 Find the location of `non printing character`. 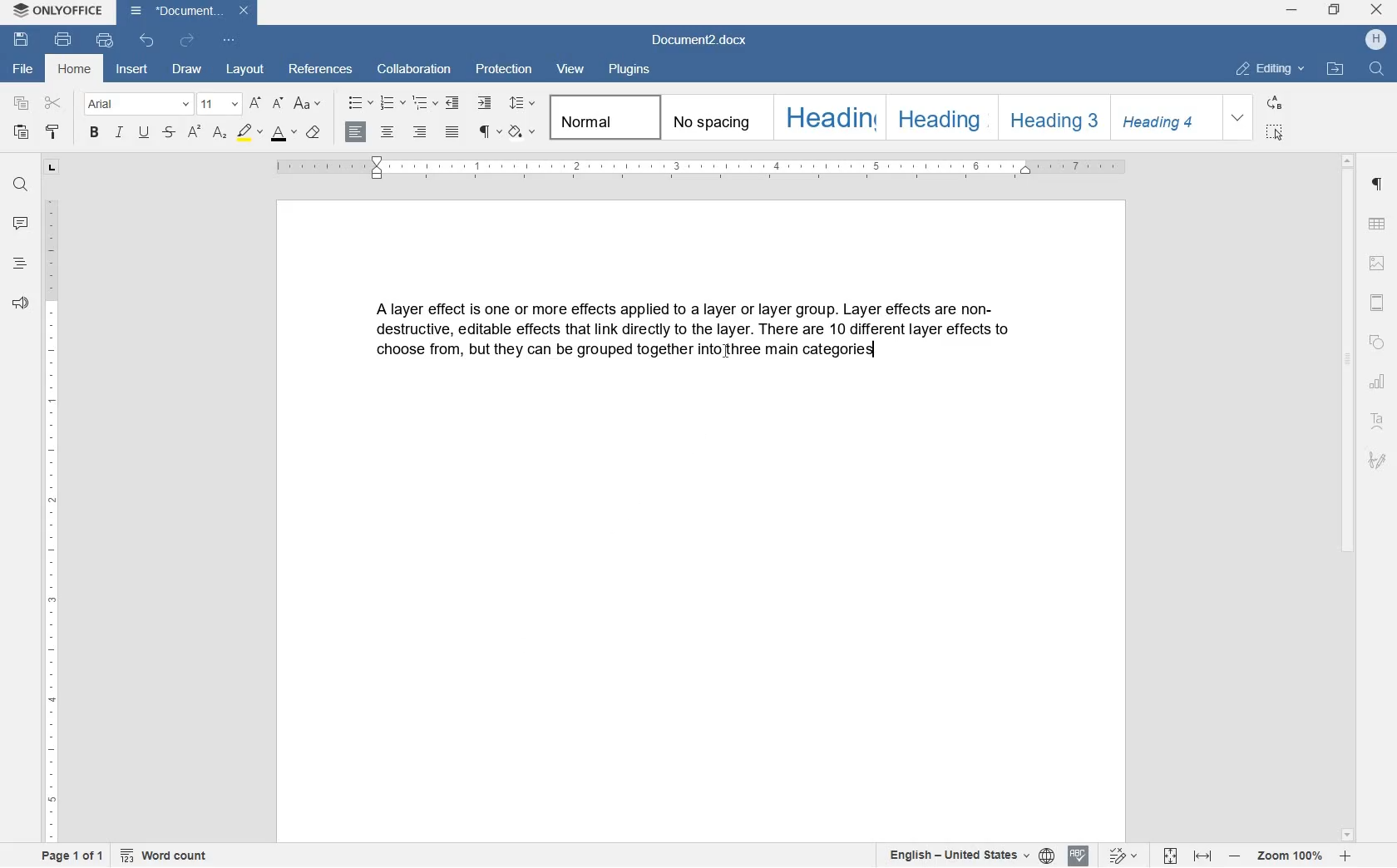

non printing character is located at coordinates (486, 130).